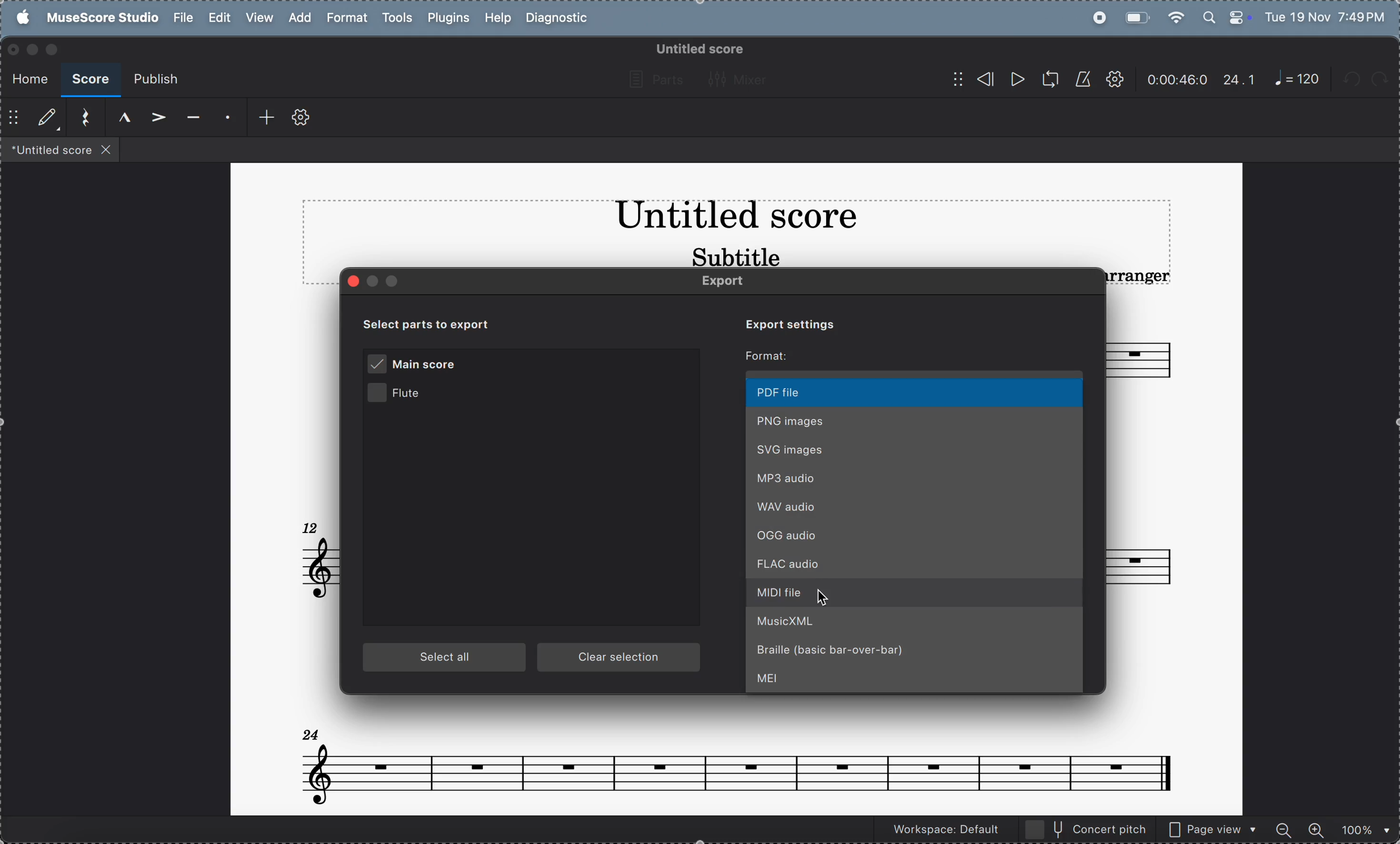 Image resolution: width=1400 pixels, height=844 pixels. What do you see at coordinates (784, 323) in the screenshot?
I see `export settings` at bounding box center [784, 323].